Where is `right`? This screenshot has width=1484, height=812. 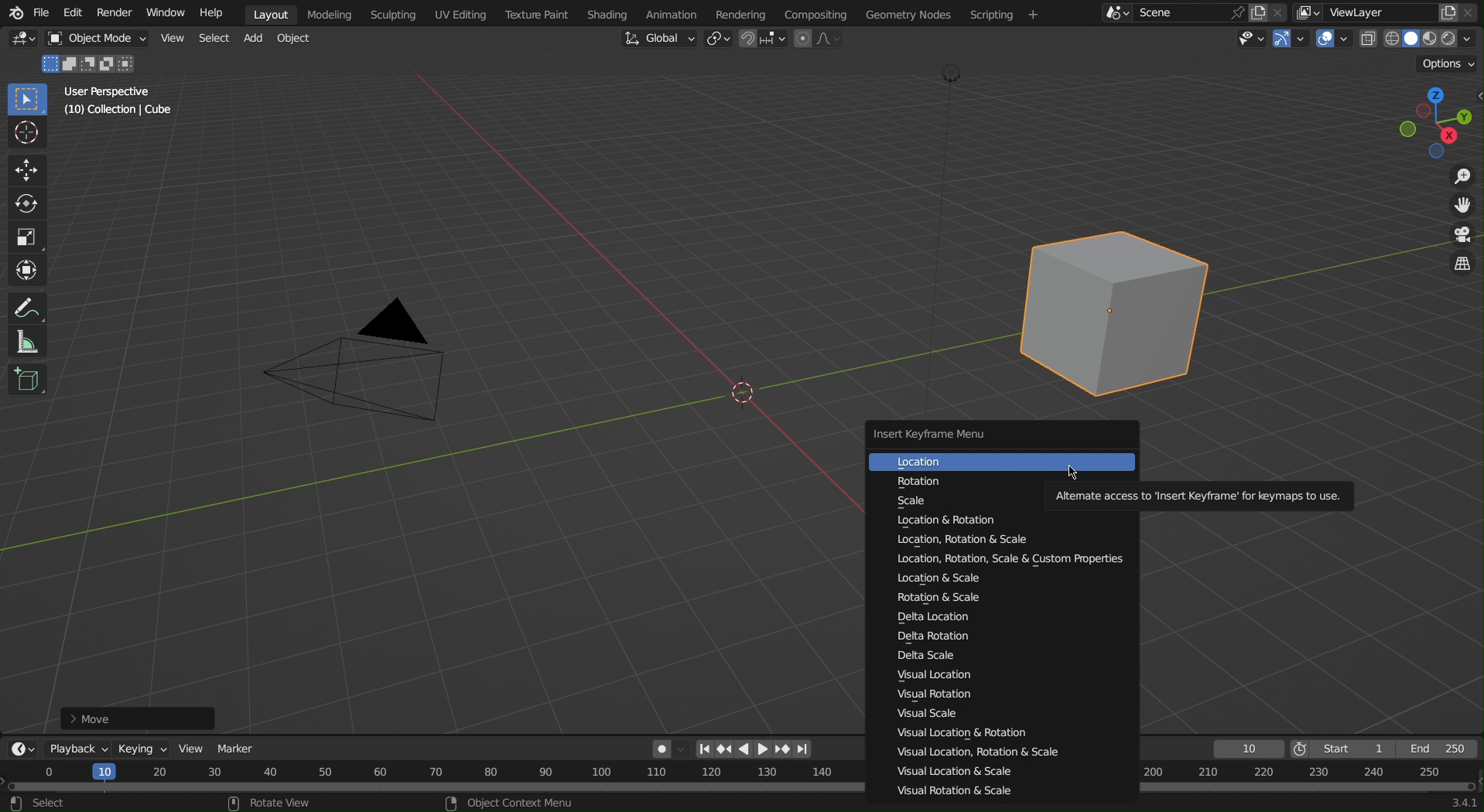
right is located at coordinates (764, 749).